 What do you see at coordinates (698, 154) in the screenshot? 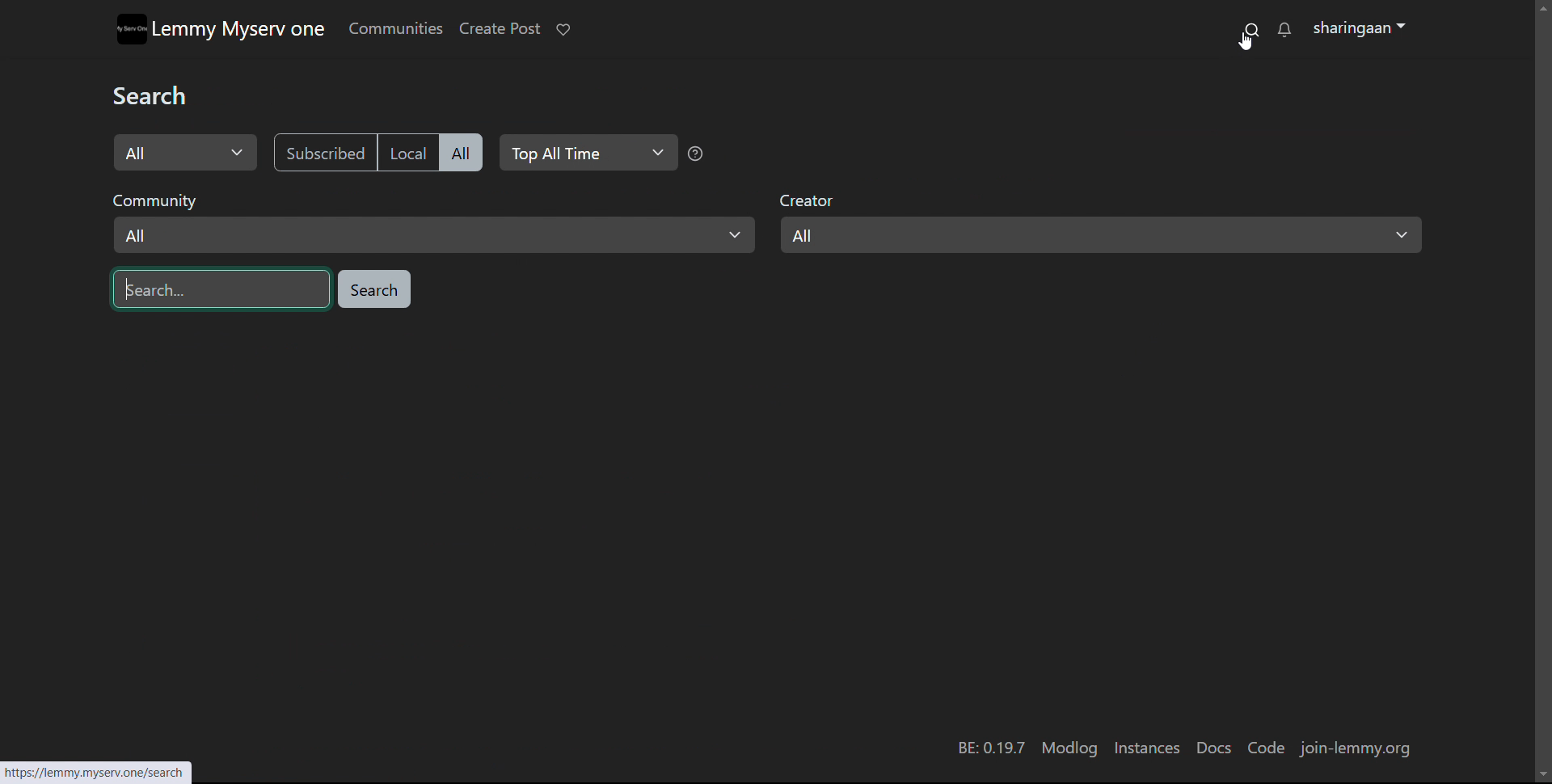
I see `Top All Time` at bounding box center [698, 154].